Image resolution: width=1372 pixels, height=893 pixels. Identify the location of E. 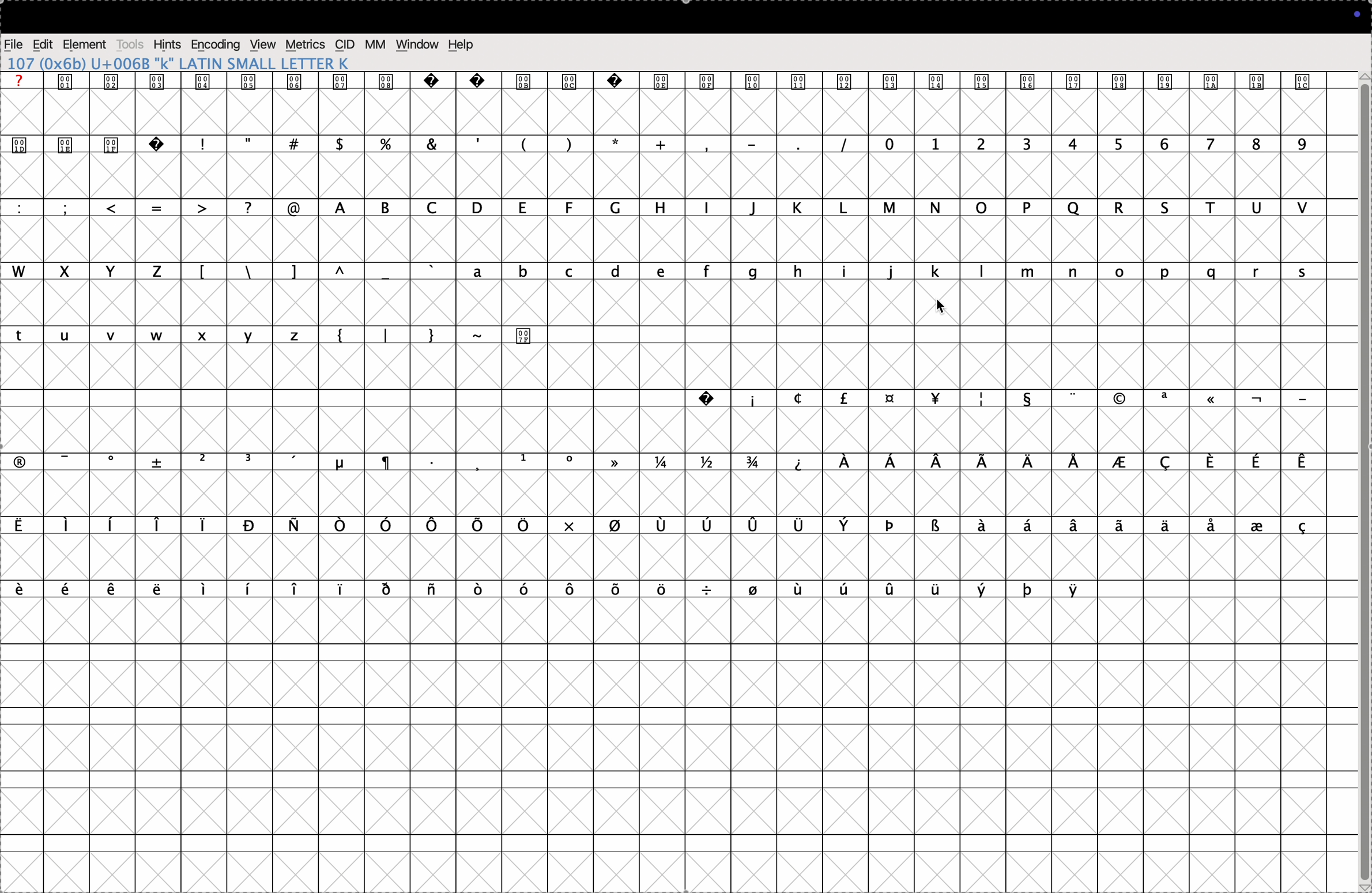
(1307, 459).